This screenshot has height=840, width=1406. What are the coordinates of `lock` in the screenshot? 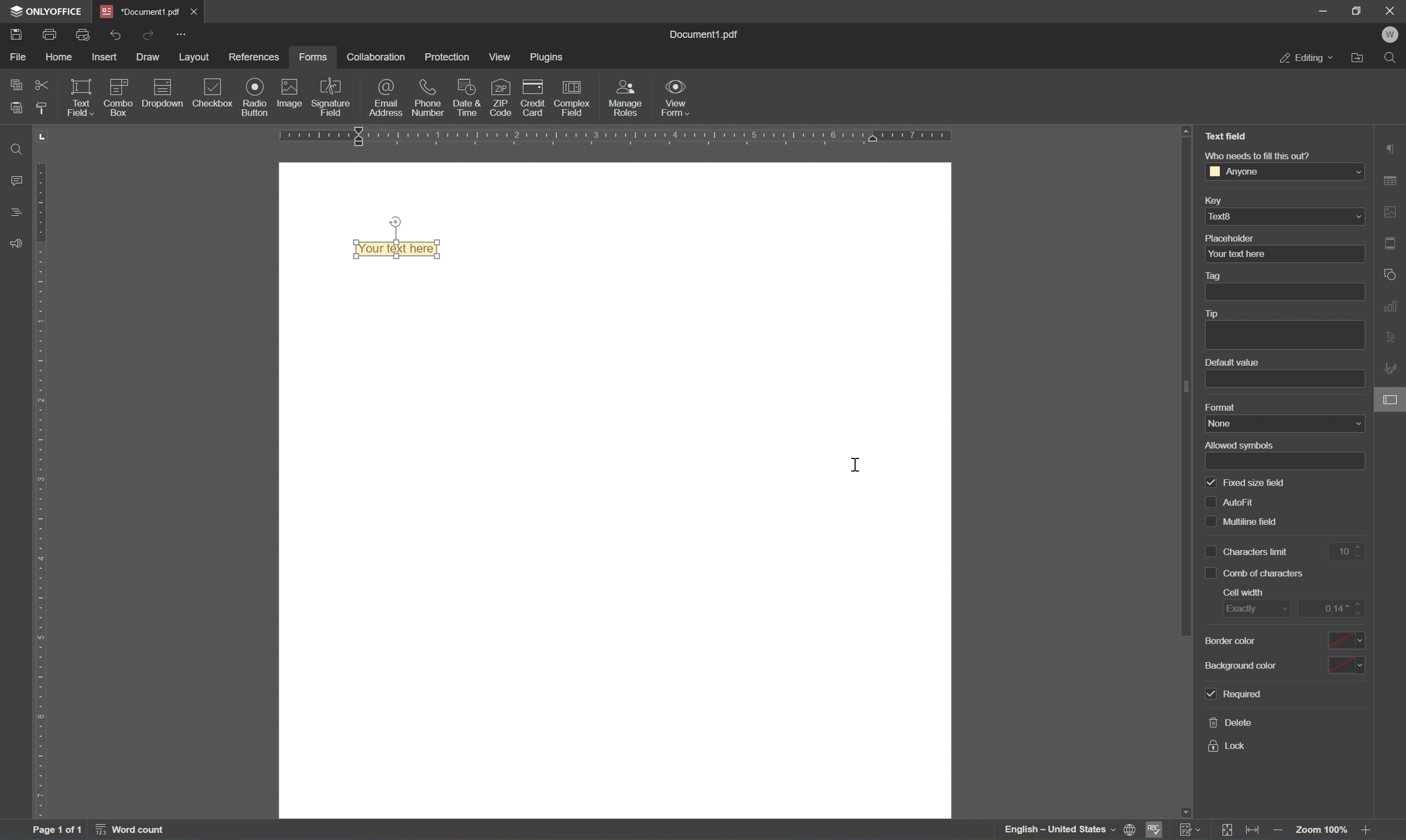 It's located at (1230, 745).